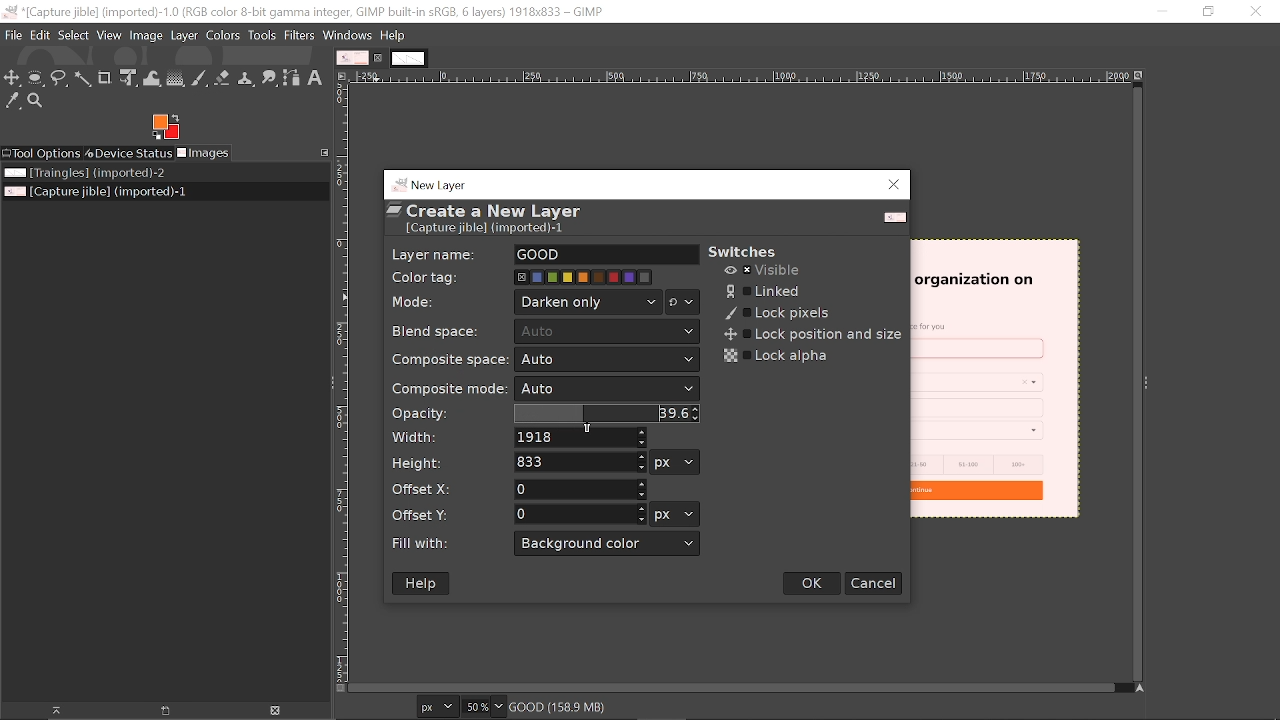 Image resolution: width=1280 pixels, height=720 pixels. I want to click on Navigate this display, so click(1142, 689).